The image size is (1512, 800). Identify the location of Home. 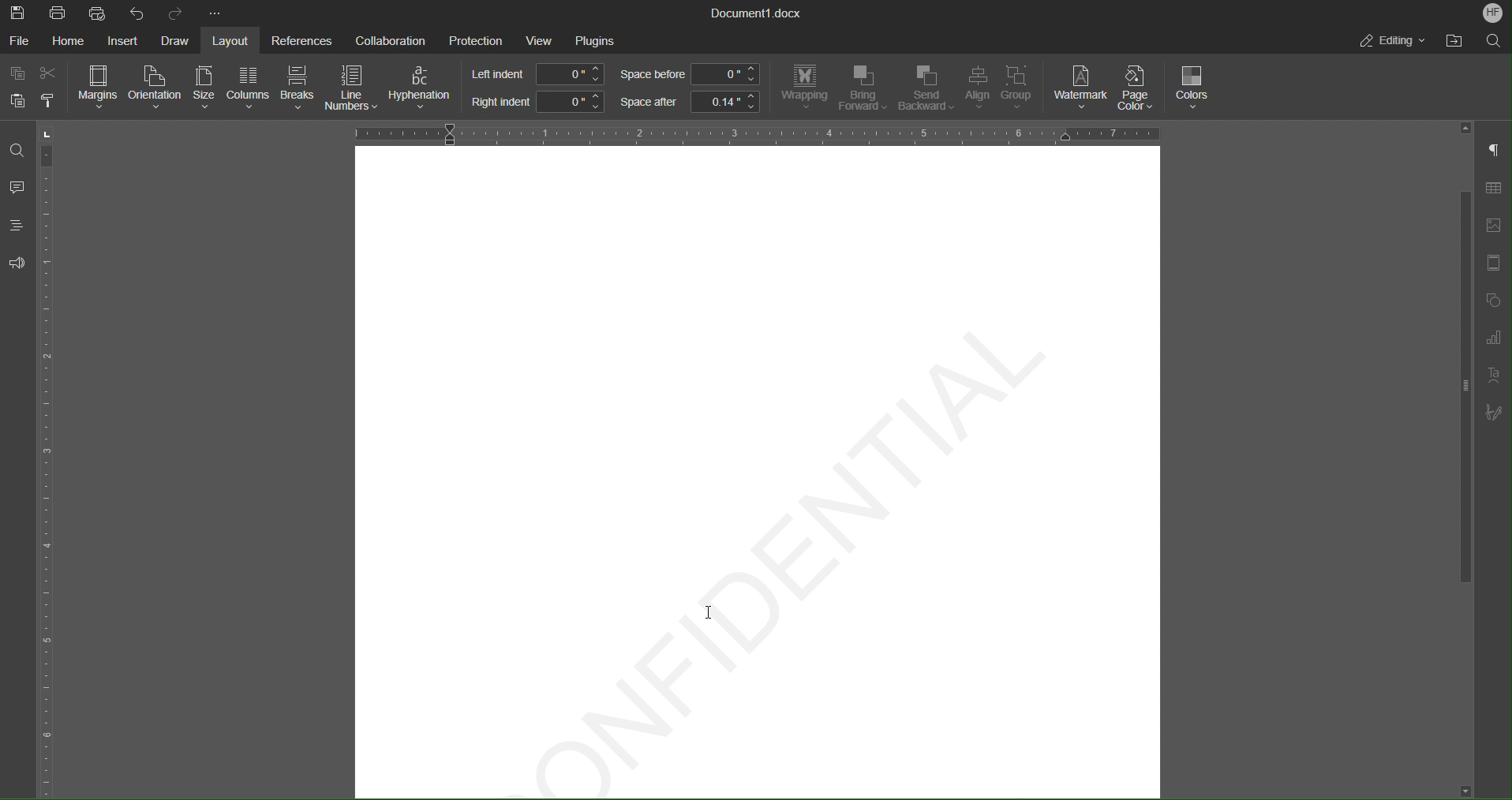
(71, 41).